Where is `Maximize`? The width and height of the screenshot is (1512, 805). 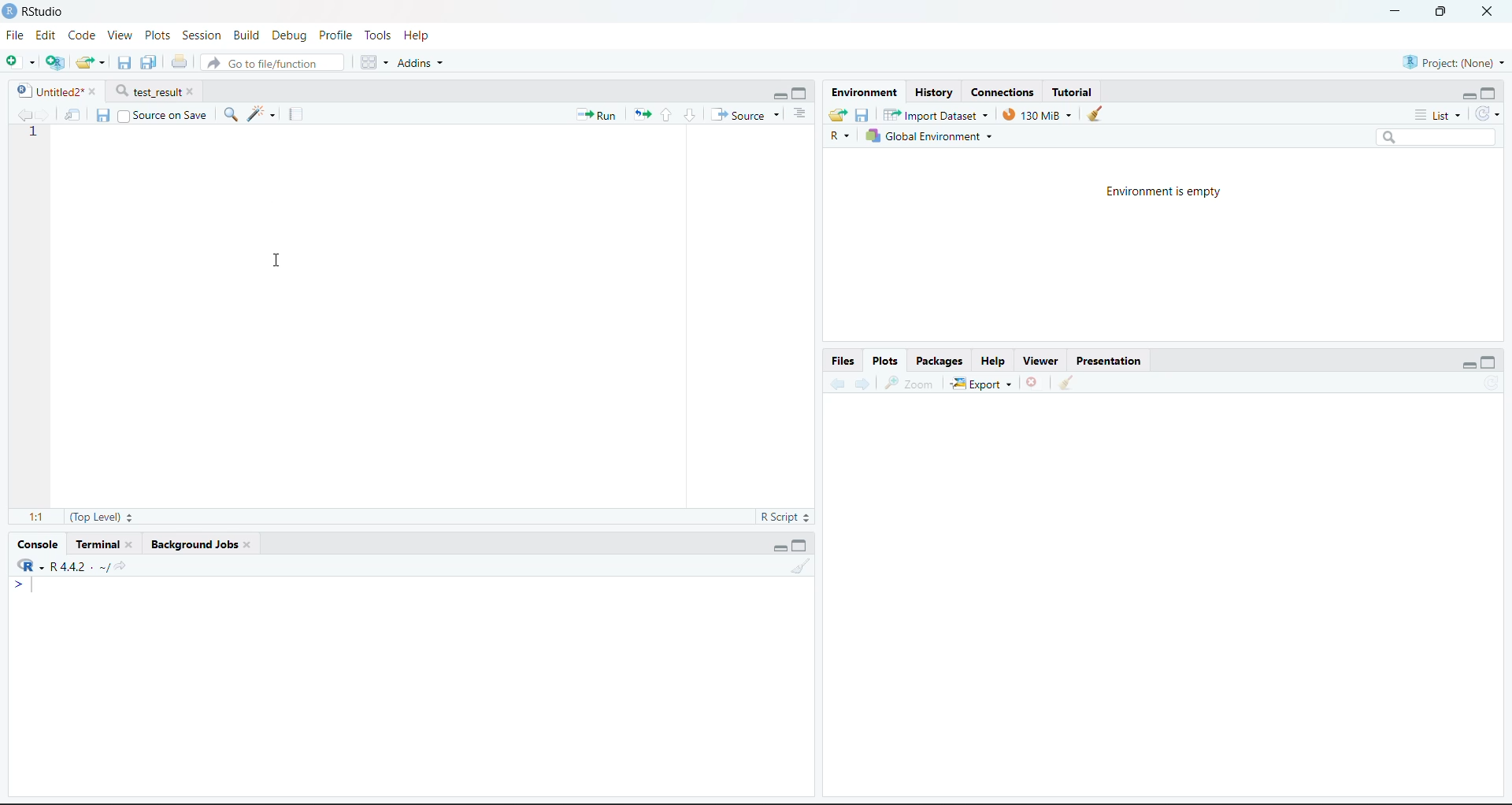
Maximize is located at coordinates (1490, 359).